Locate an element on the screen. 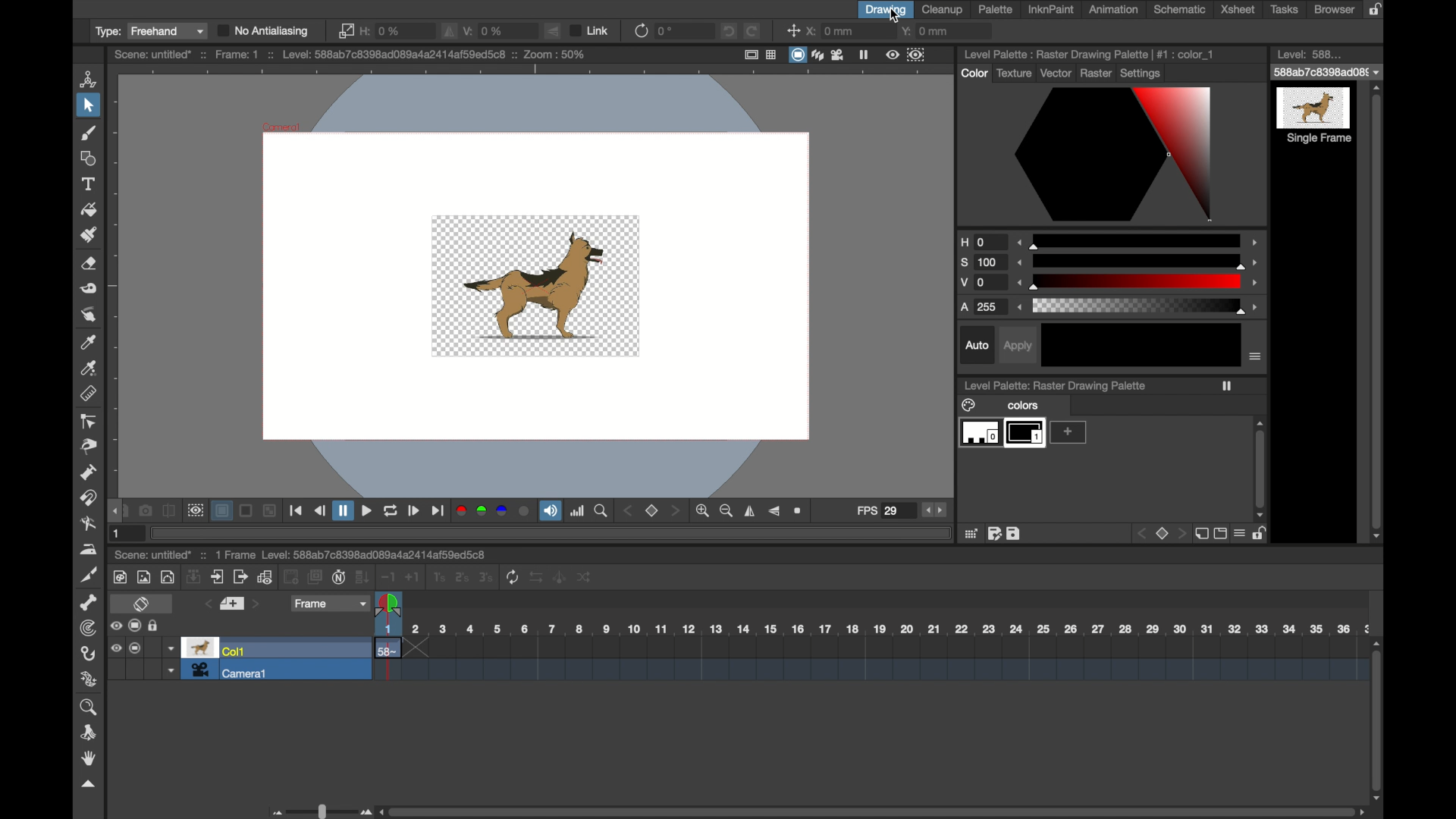  redo is located at coordinates (752, 30).